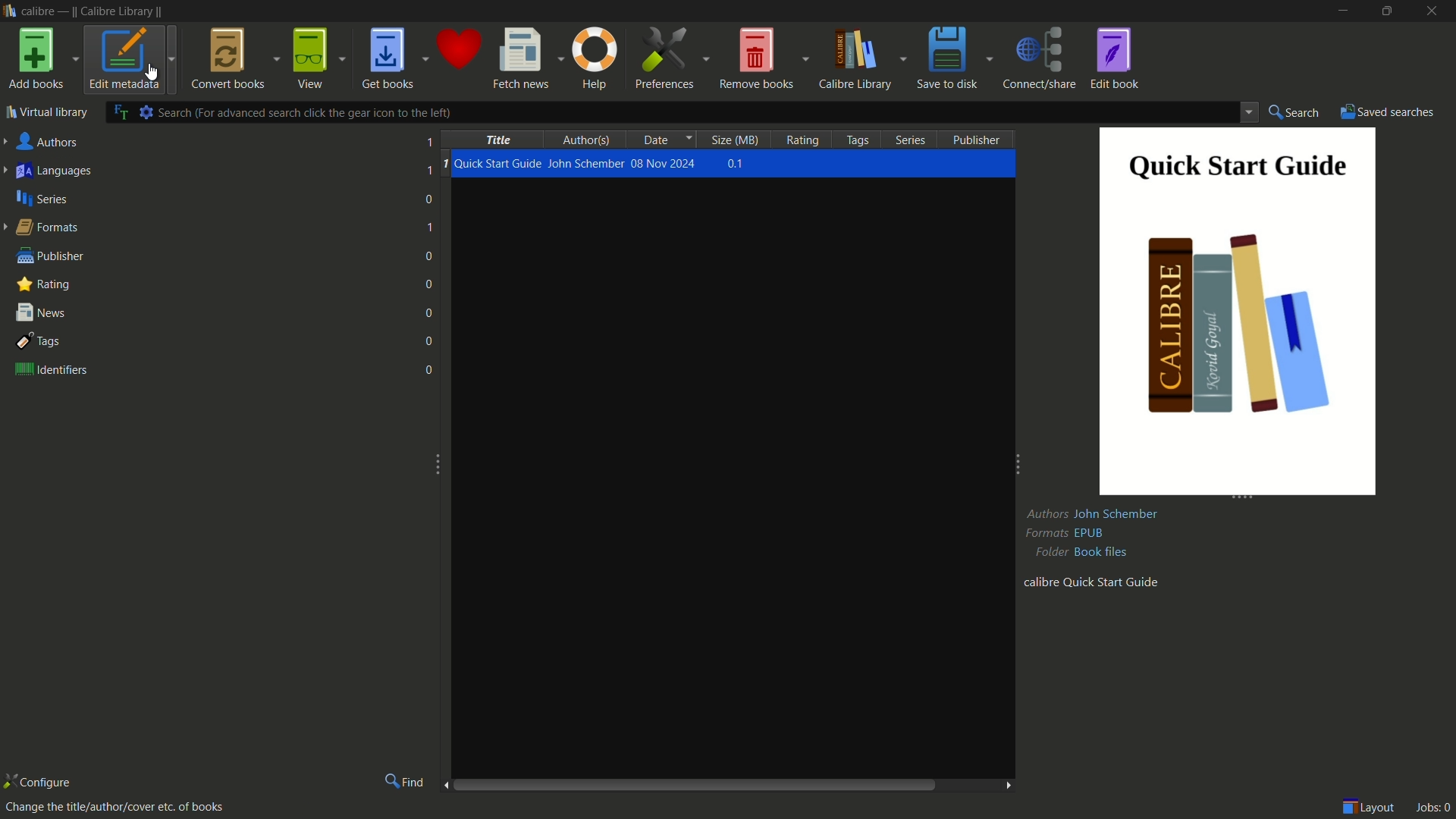  Describe the element at coordinates (53, 369) in the screenshot. I see `identifiers` at that location.